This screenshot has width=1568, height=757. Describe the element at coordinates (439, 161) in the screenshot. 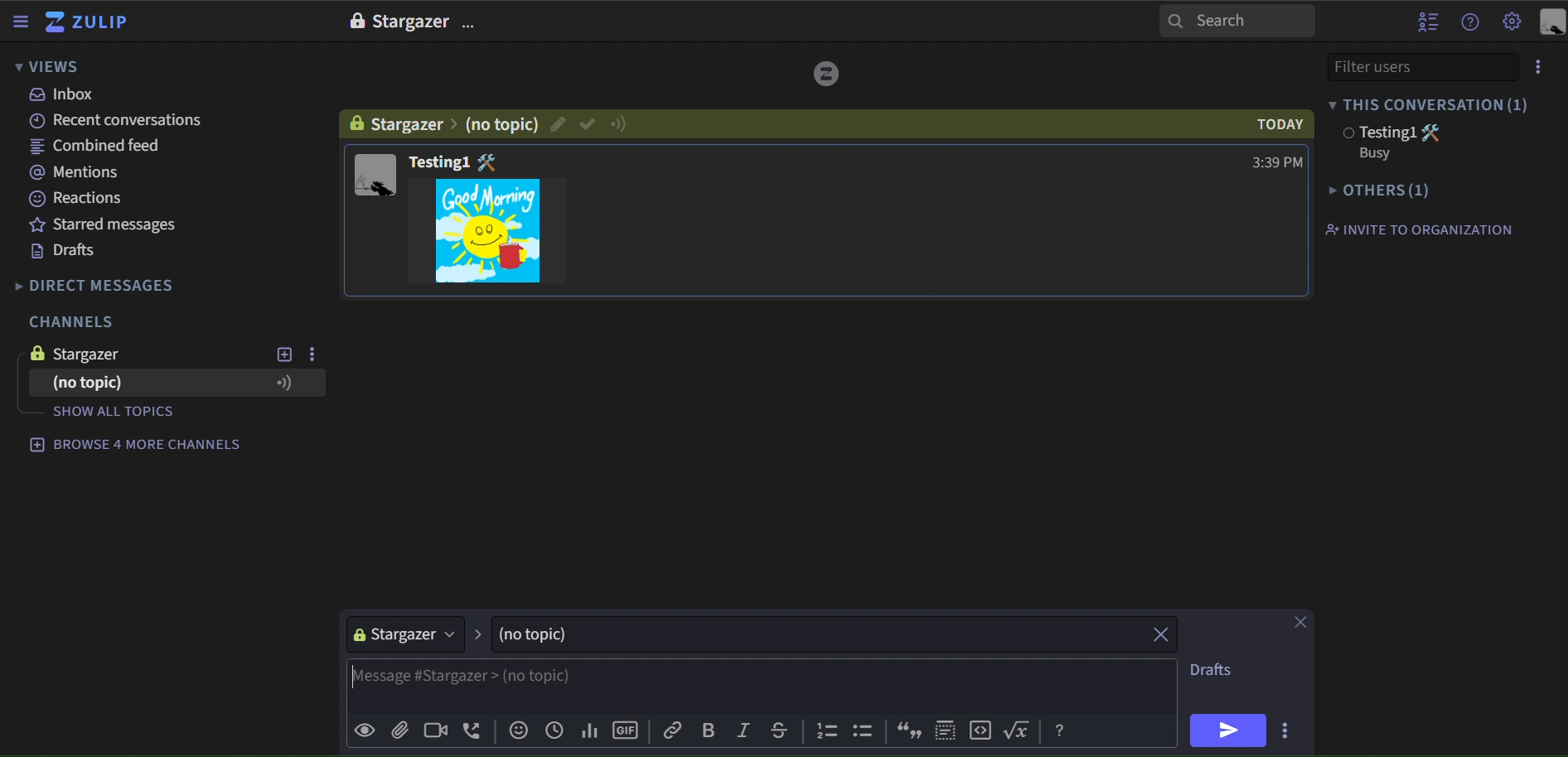

I see `Testing1` at that location.